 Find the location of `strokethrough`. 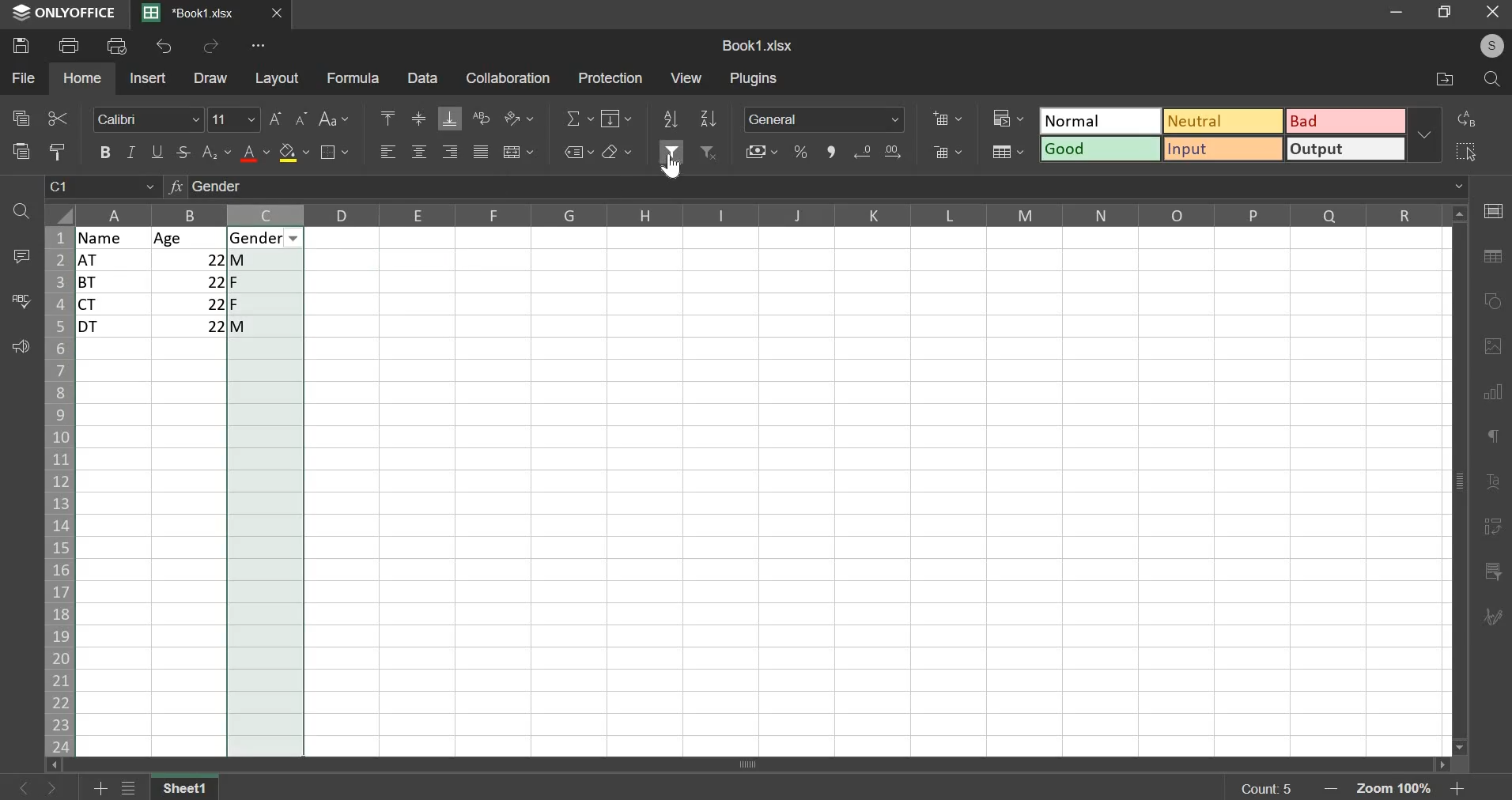

strokethrough is located at coordinates (184, 153).